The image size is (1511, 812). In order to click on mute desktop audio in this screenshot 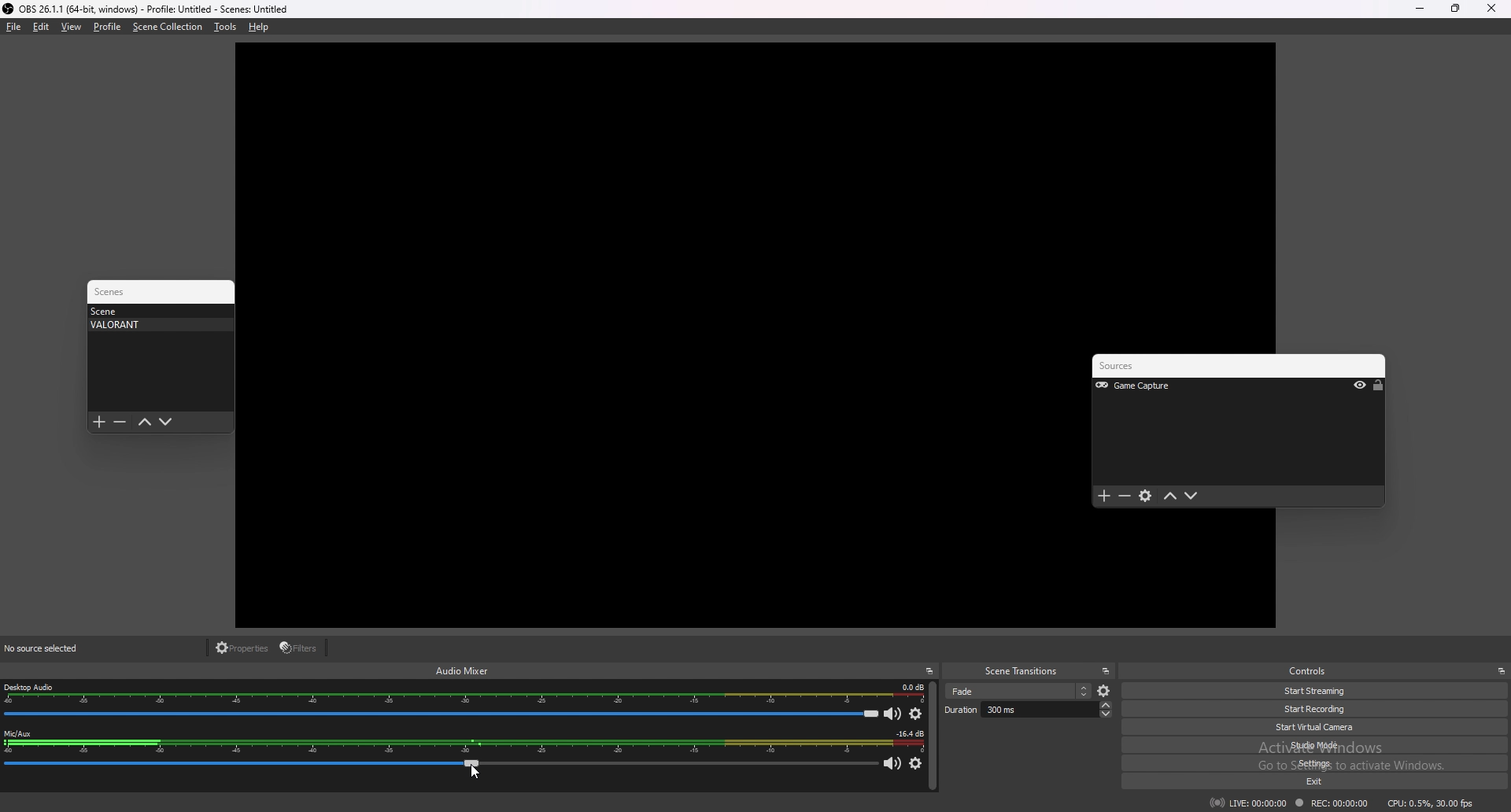, I will do `click(893, 713)`.